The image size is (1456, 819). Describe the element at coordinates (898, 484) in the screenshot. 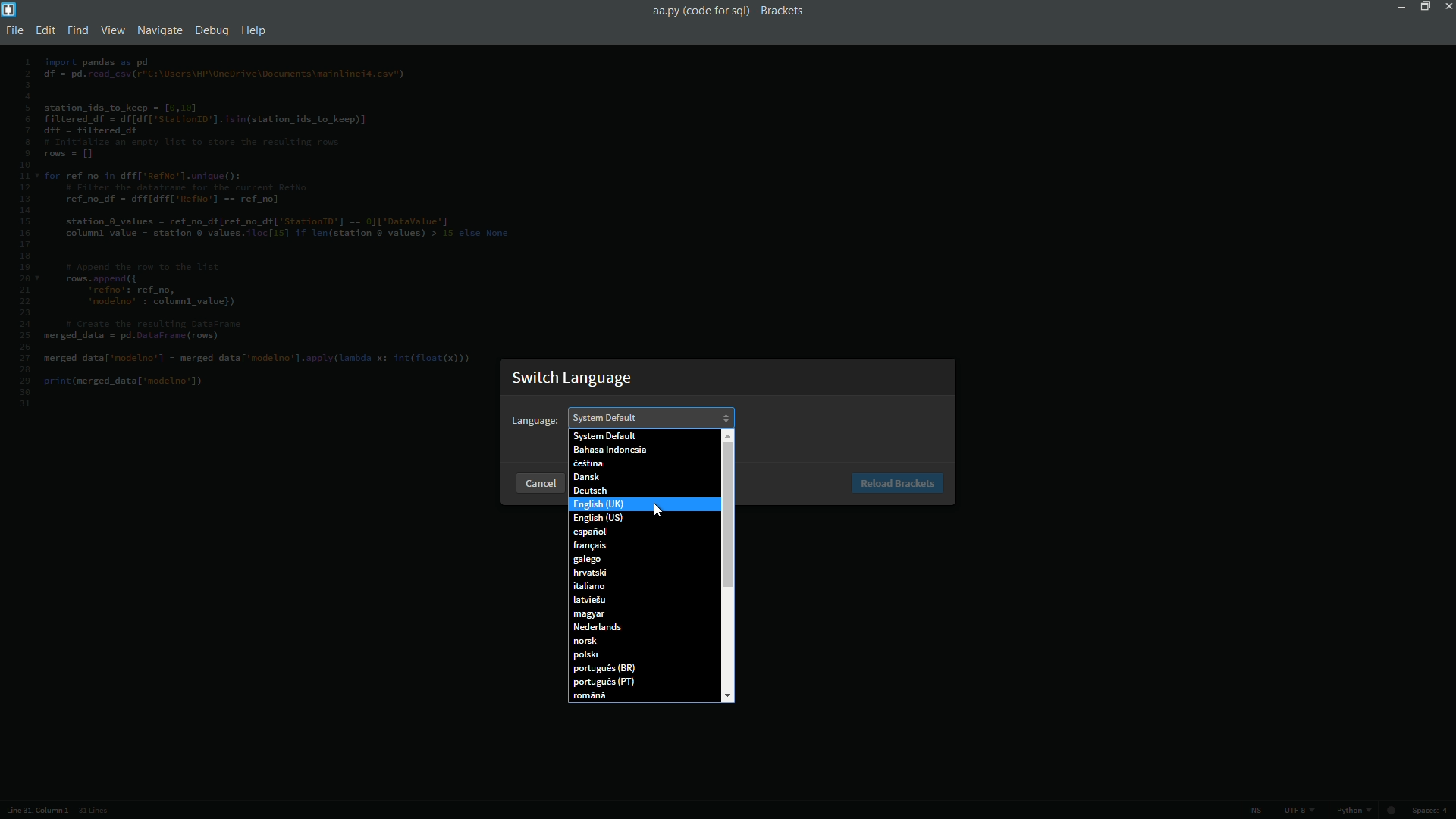

I see `reload brackets` at that location.